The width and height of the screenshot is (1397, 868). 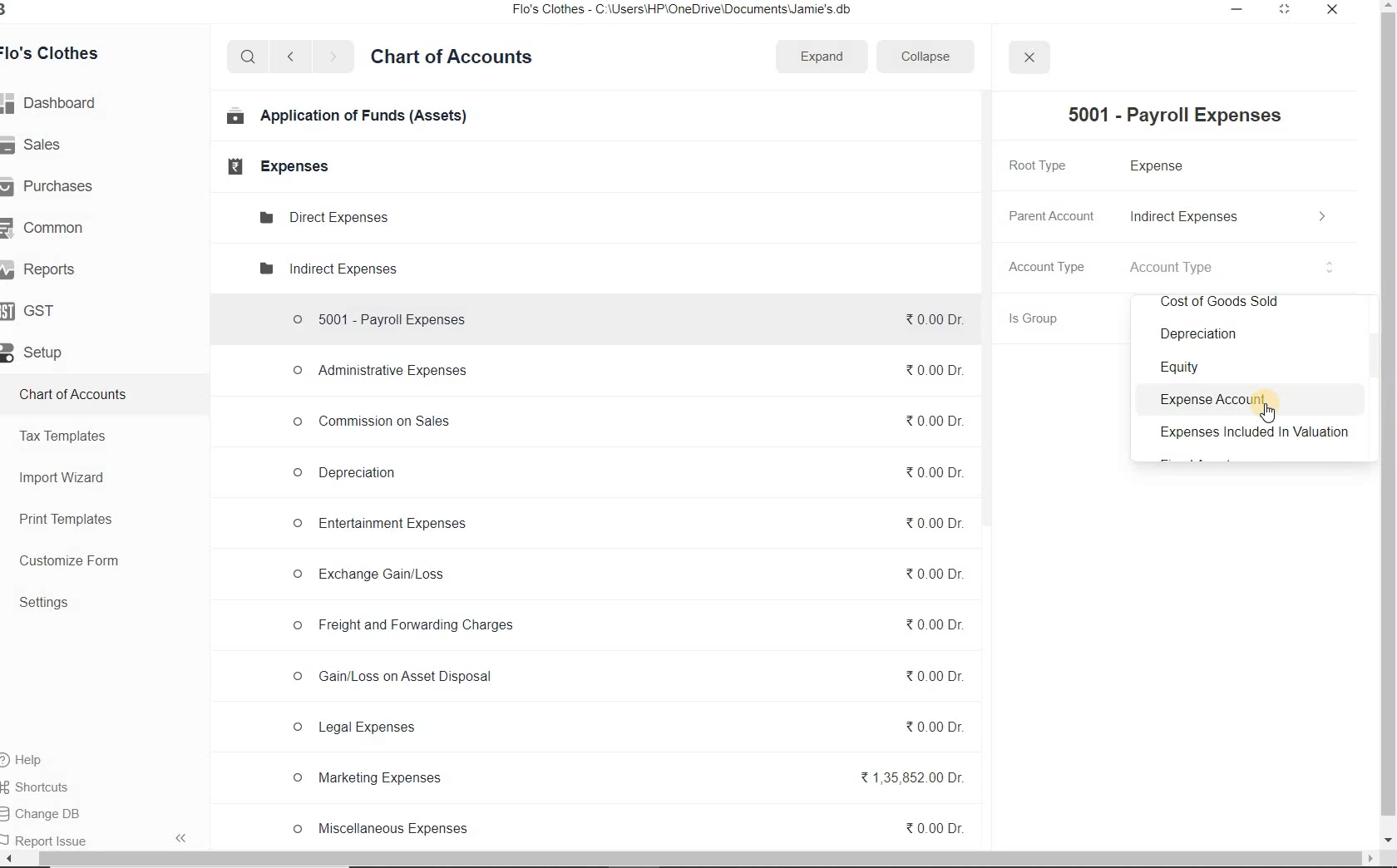 What do you see at coordinates (1051, 266) in the screenshot?
I see `Account Type` at bounding box center [1051, 266].